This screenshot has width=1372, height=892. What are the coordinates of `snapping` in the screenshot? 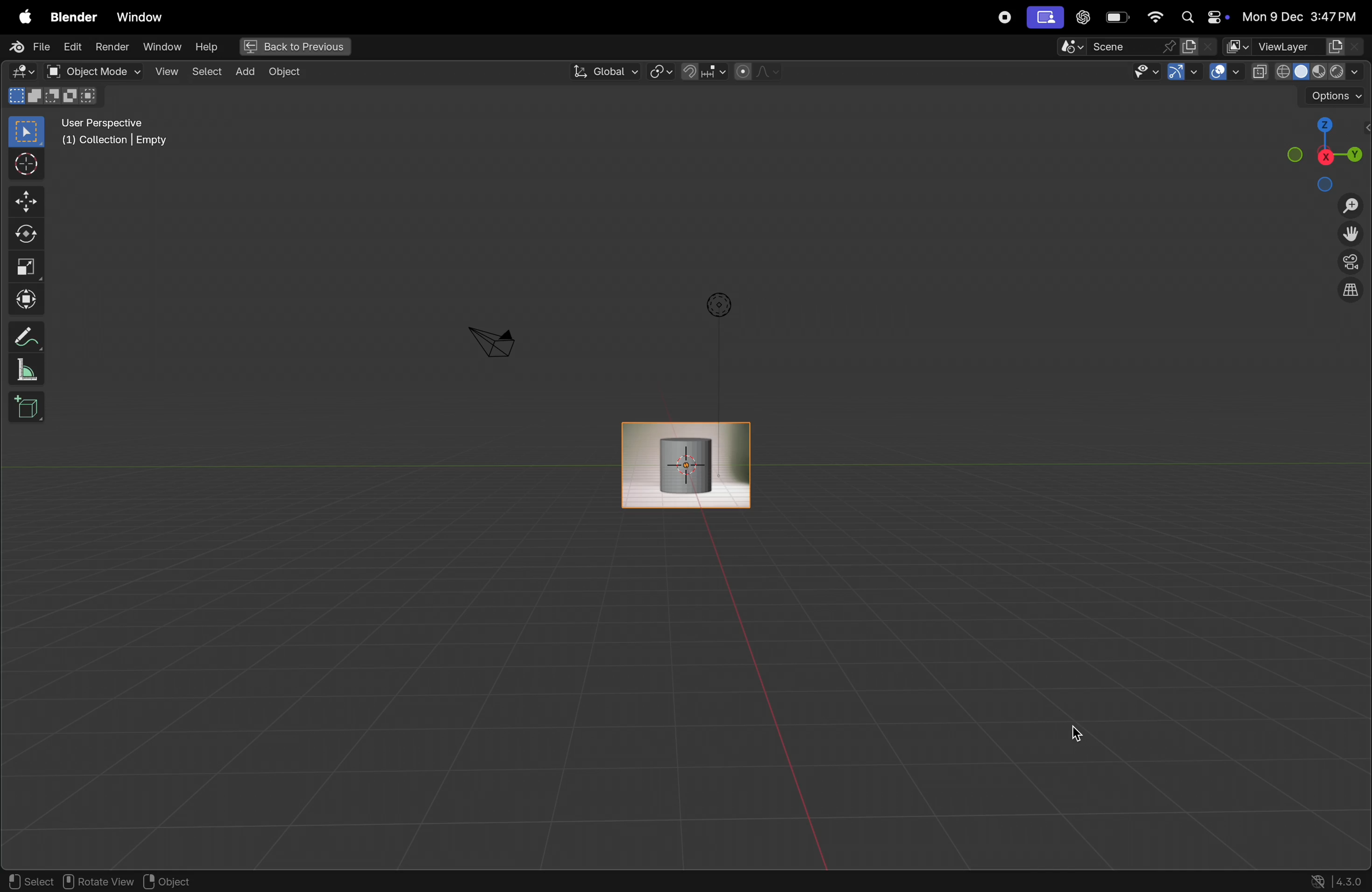 It's located at (703, 71).